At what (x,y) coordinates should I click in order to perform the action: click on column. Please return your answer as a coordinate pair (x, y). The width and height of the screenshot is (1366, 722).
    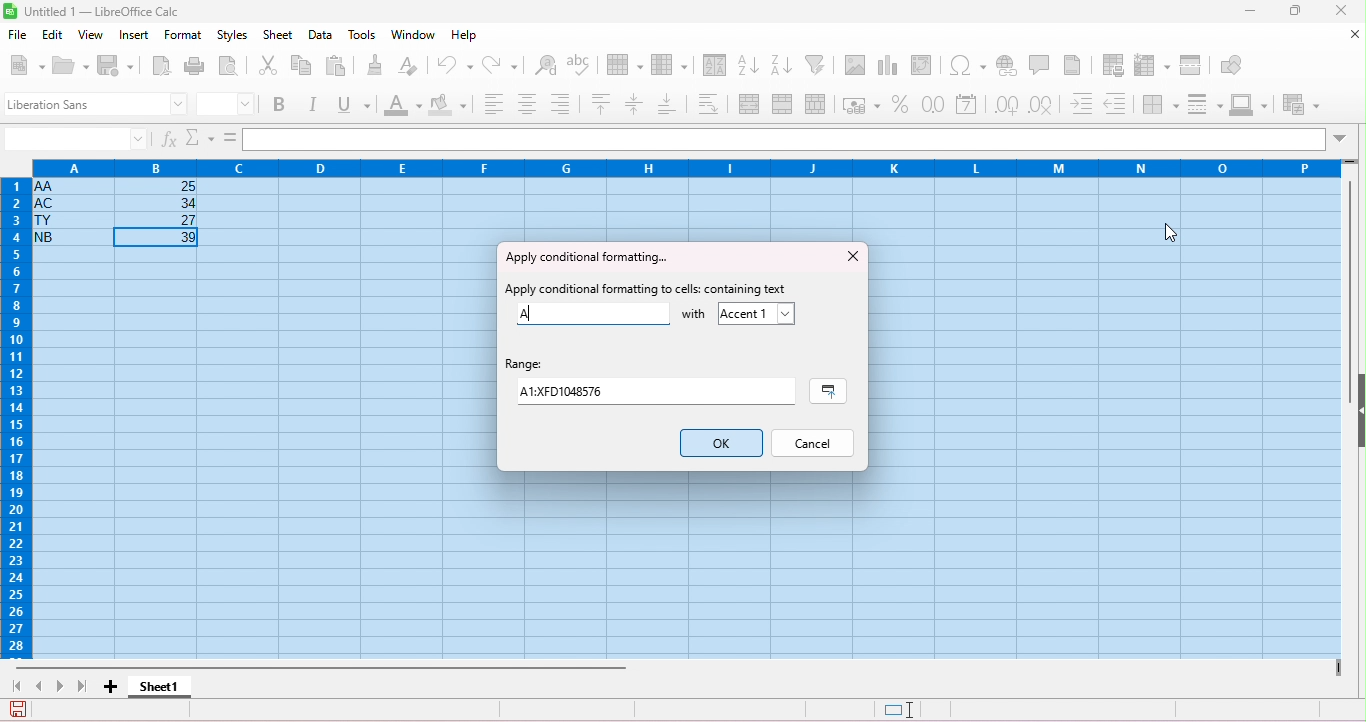
    Looking at the image, I should click on (669, 64).